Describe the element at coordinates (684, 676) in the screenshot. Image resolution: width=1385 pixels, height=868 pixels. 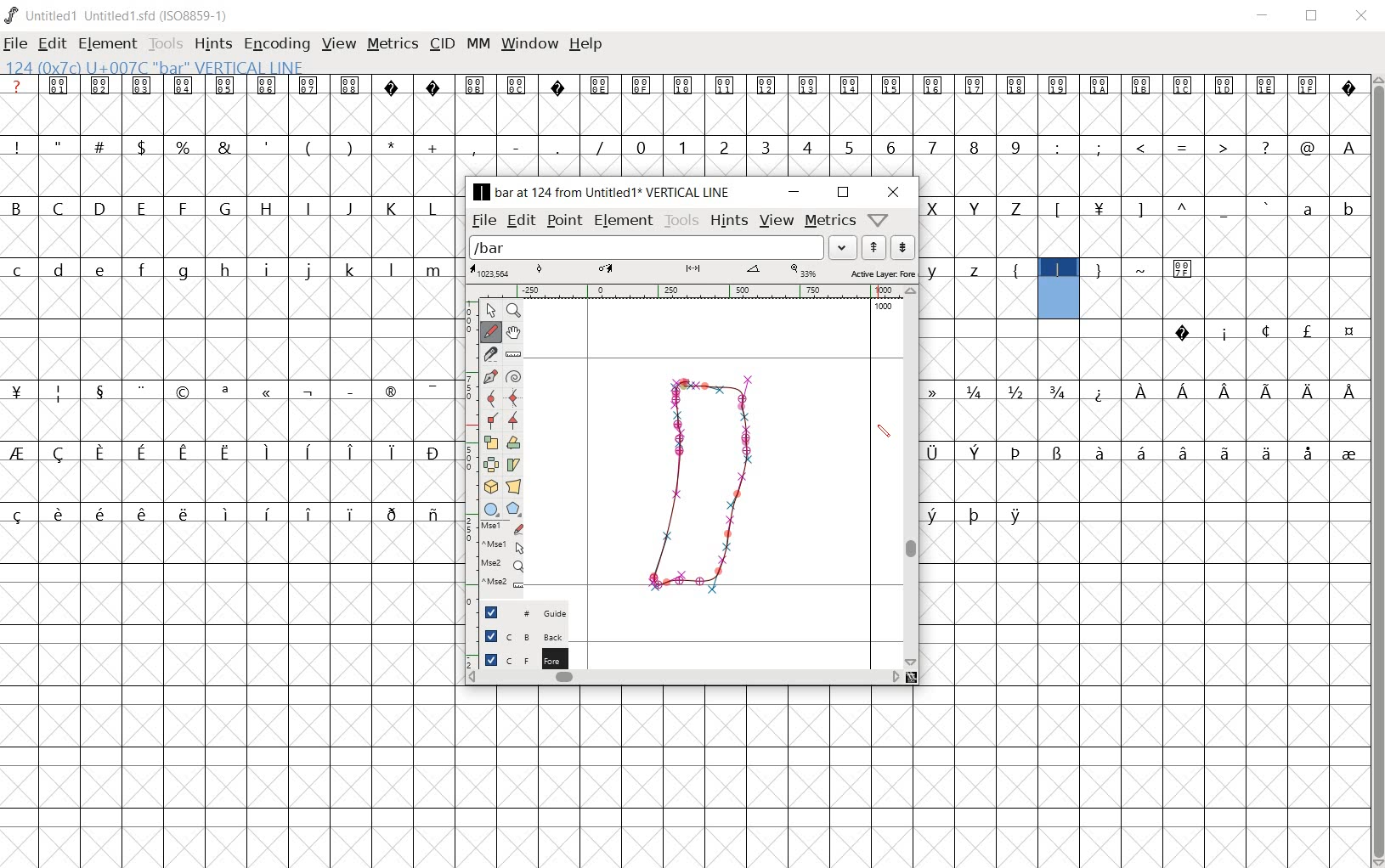
I see `scrollbar` at that location.